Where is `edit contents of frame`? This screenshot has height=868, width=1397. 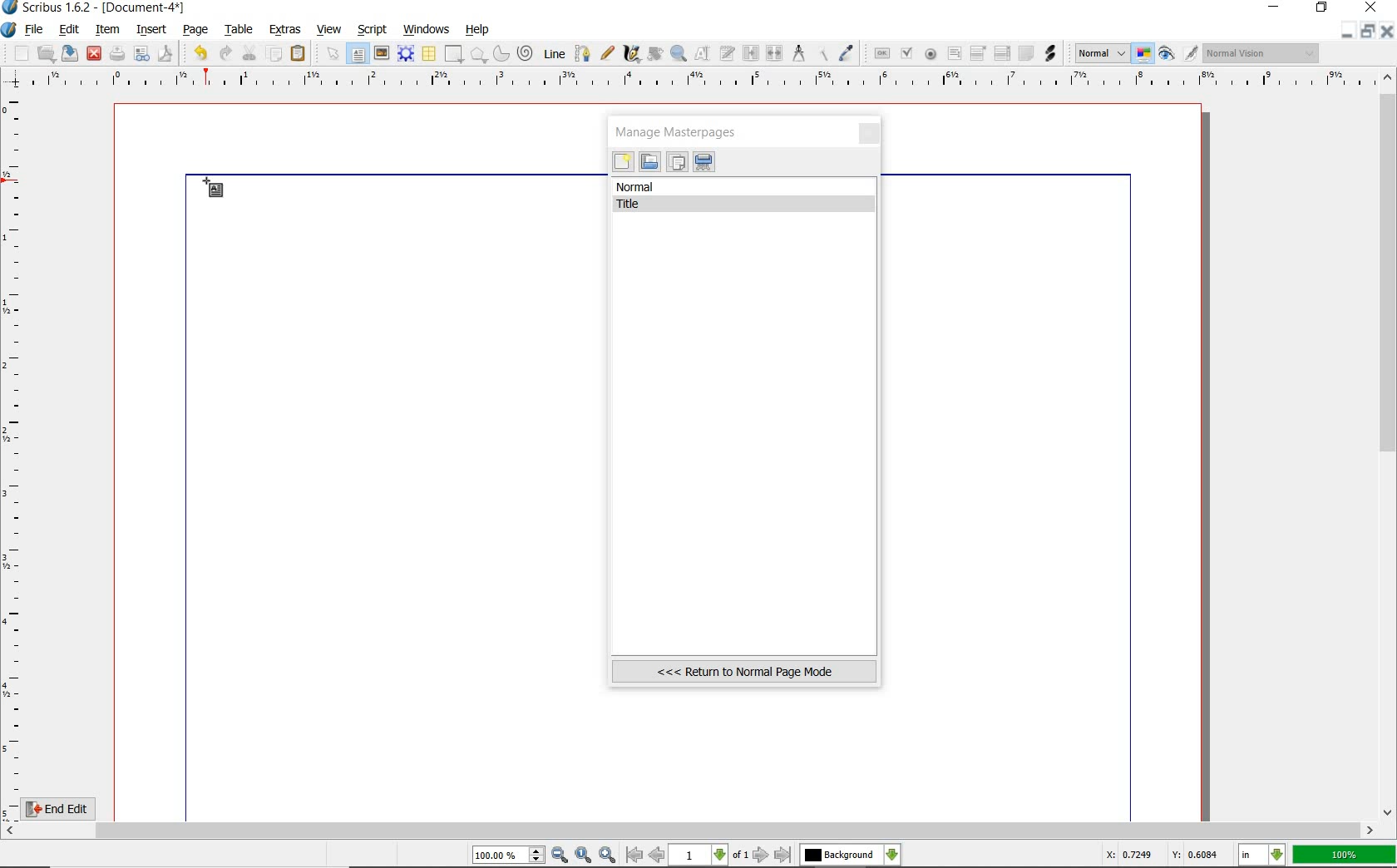
edit contents of frame is located at coordinates (704, 55).